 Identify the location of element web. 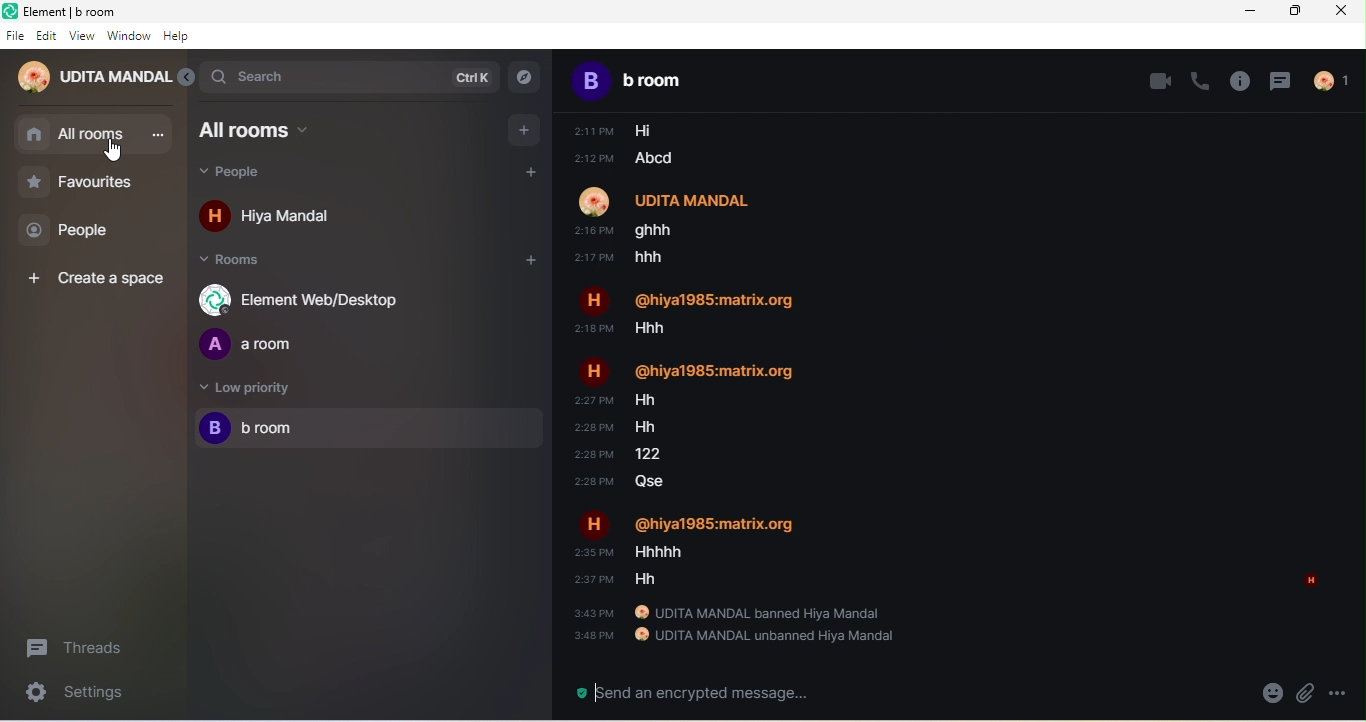
(308, 299).